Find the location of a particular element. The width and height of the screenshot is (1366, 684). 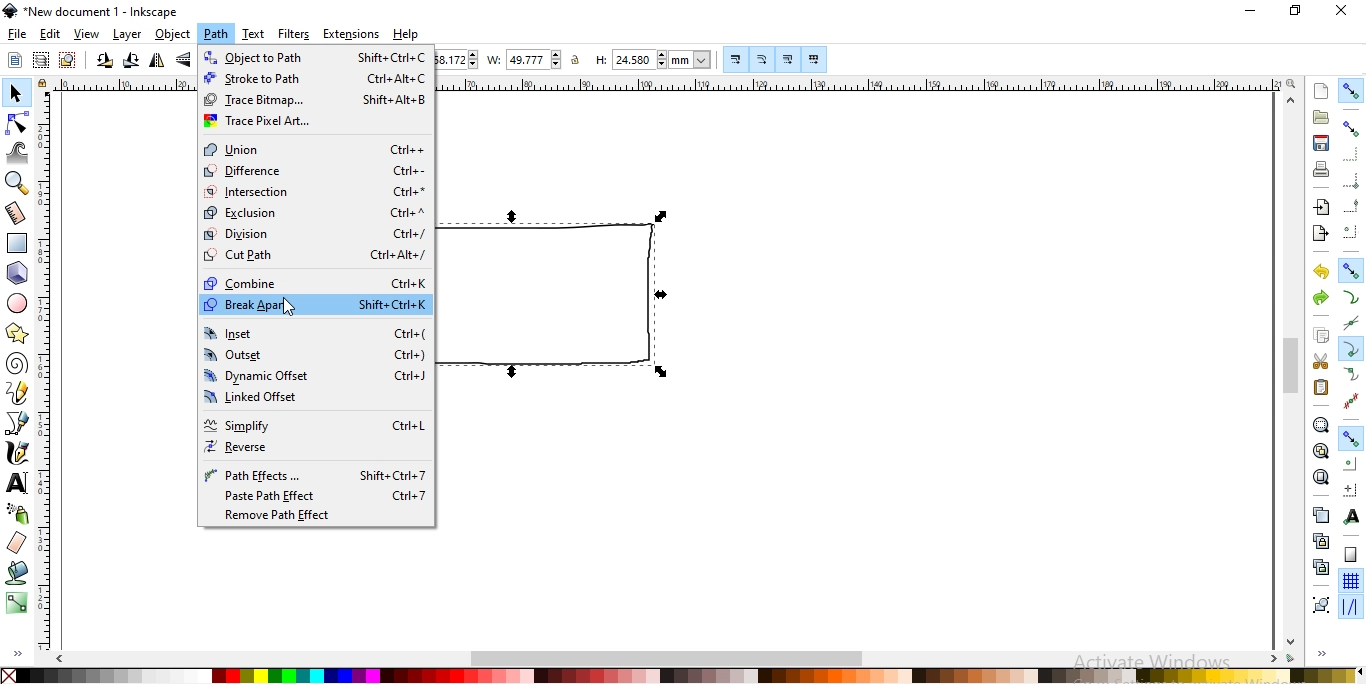

snap centers of objects is located at coordinates (1351, 464).